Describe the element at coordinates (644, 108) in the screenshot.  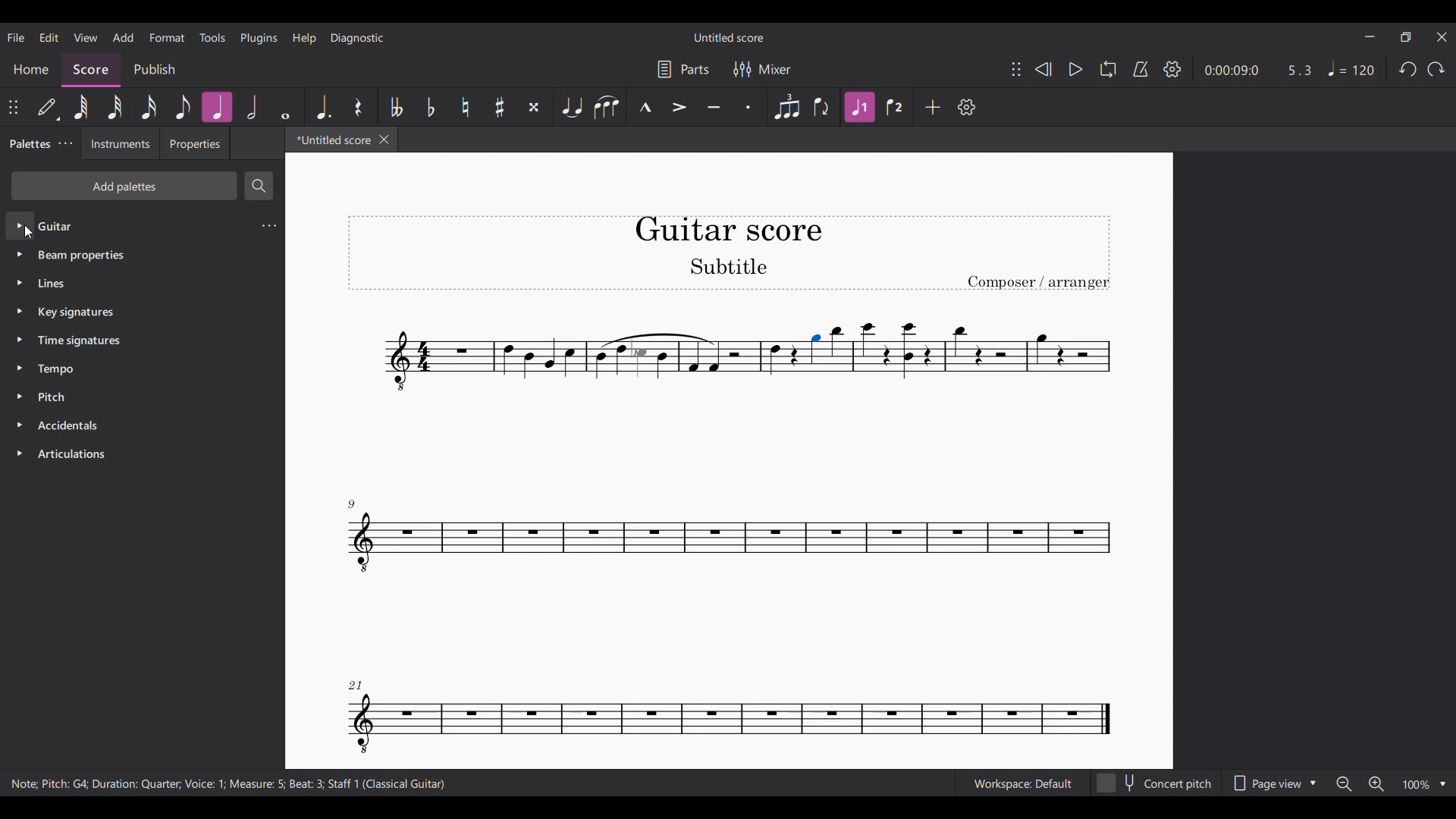
I see `Marcato` at that location.